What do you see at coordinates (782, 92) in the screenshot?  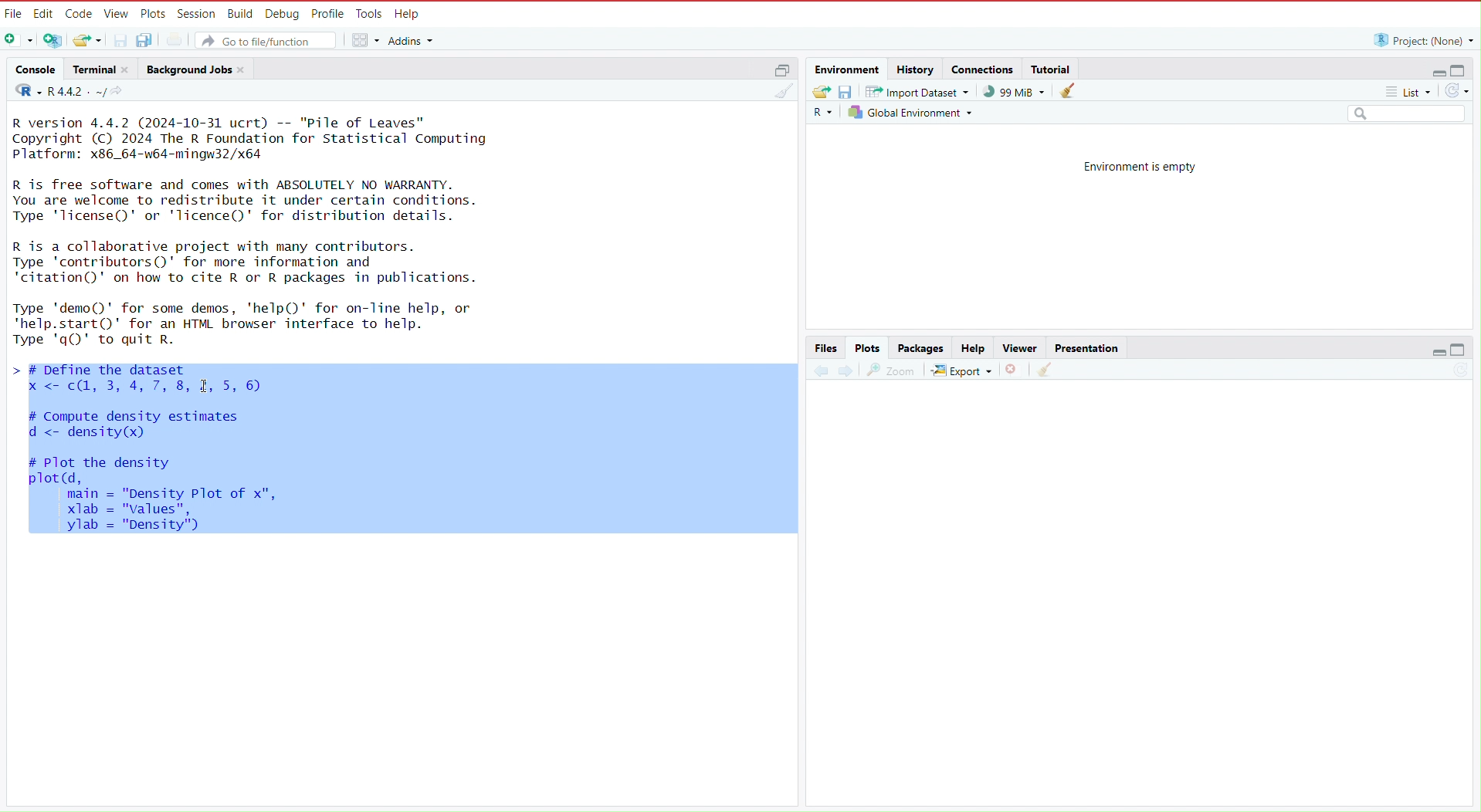 I see `clear console` at bounding box center [782, 92].